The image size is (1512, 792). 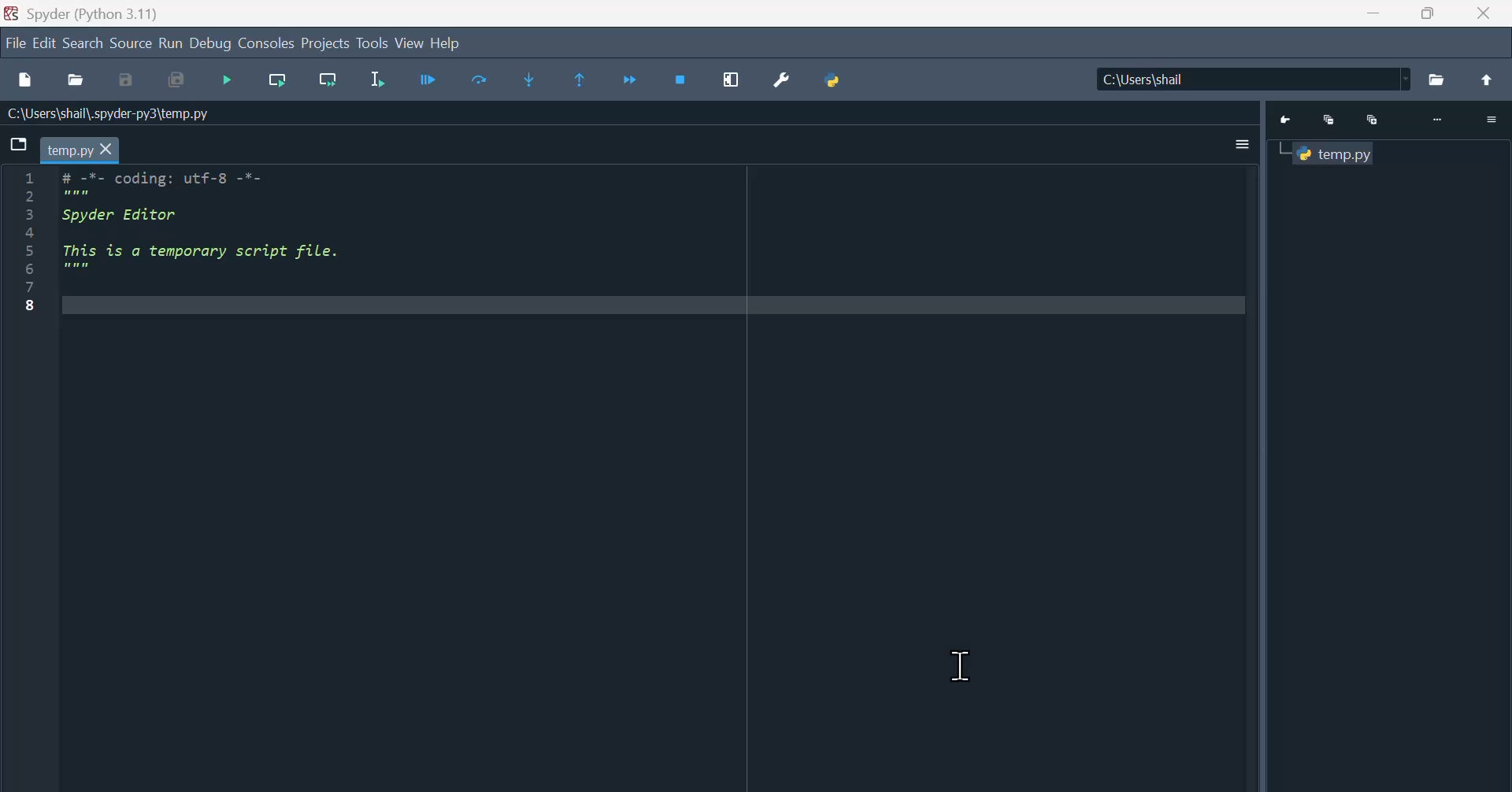 What do you see at coordinates (448, 43) in the screenshot?
I see `help` at bounding box center [448, 43].